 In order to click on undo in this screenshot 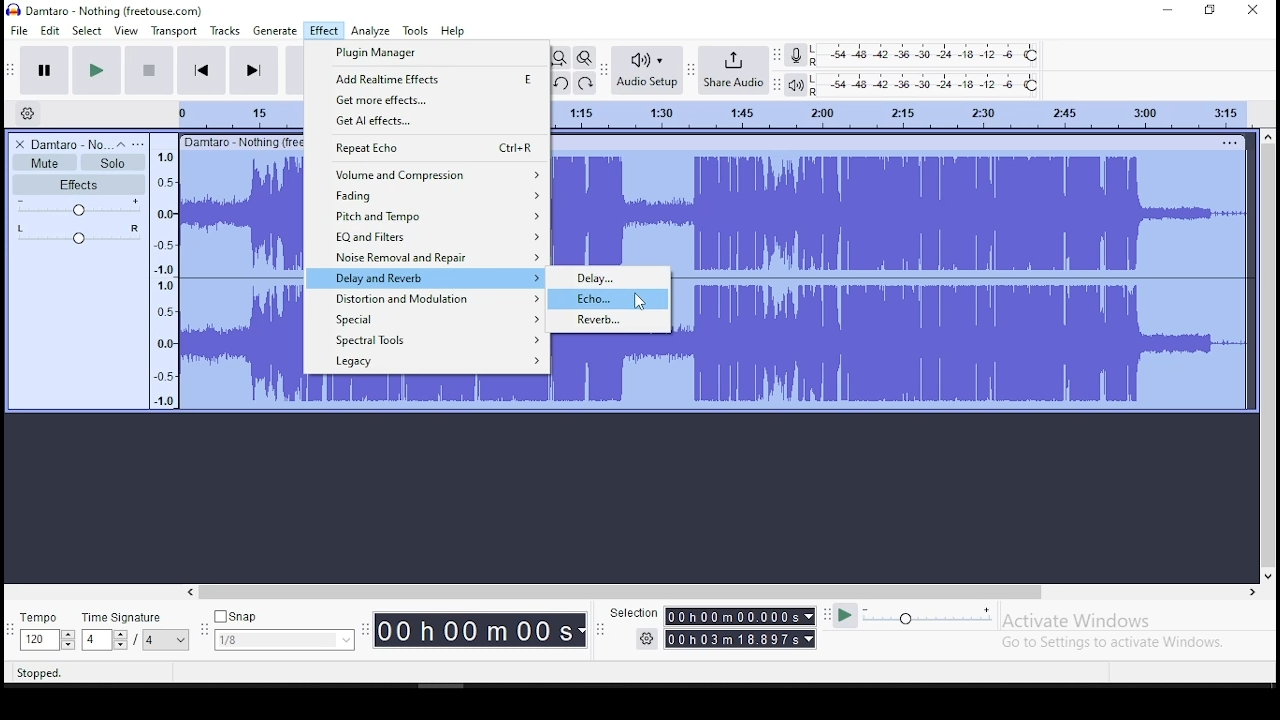, I will do `click(561, 84)`.